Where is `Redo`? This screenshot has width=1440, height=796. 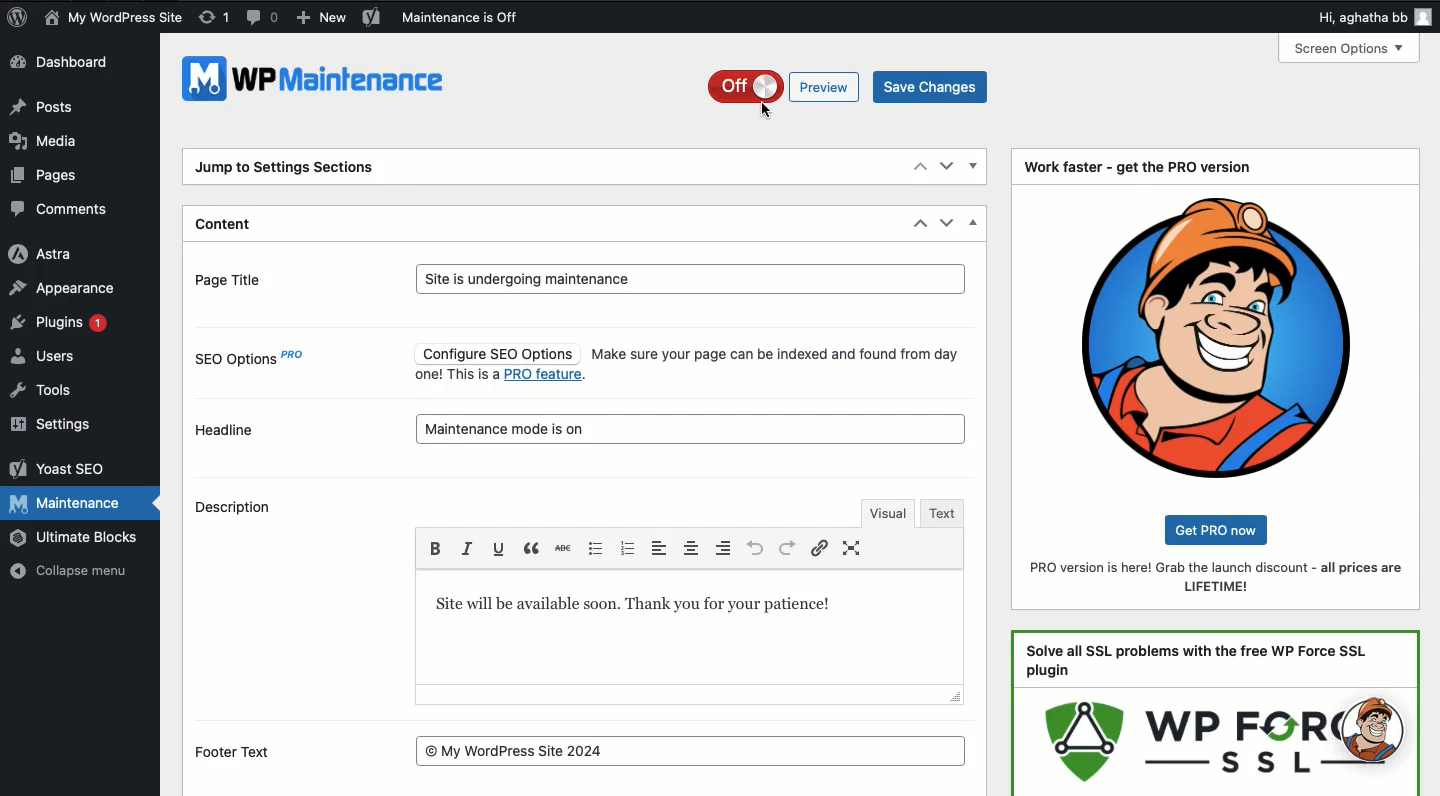
Redo is located at coordinates (787, 547).